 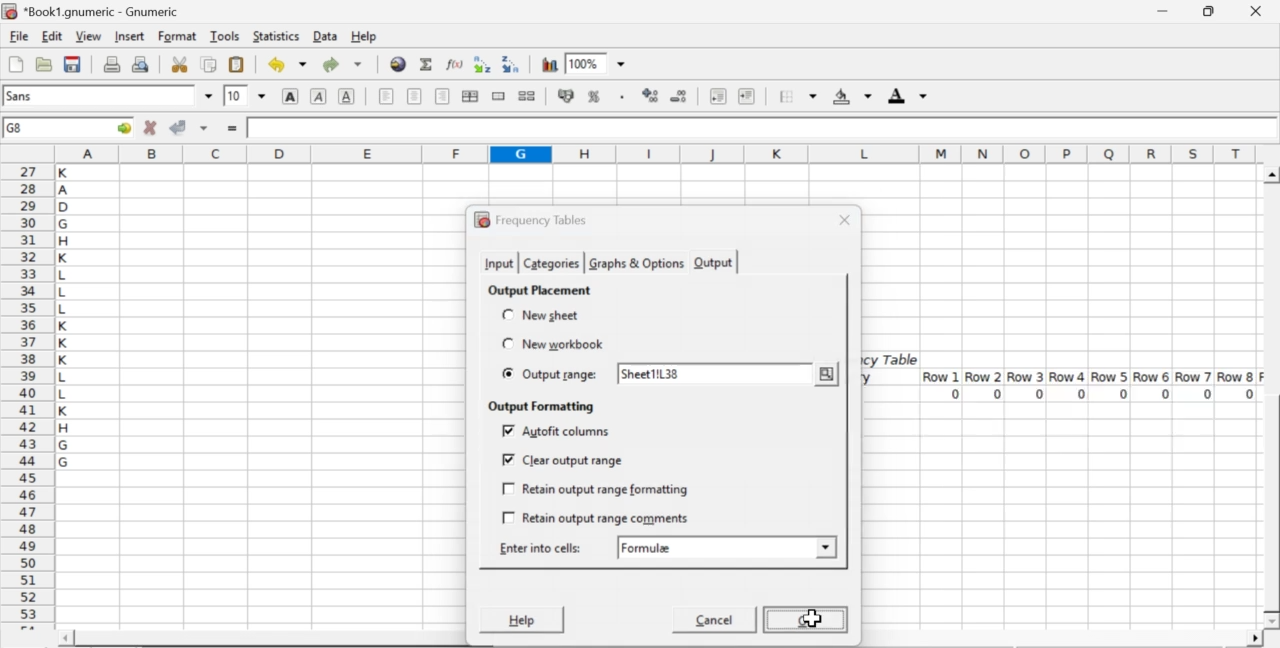 I want to click on print, so click(x=112, y=63).